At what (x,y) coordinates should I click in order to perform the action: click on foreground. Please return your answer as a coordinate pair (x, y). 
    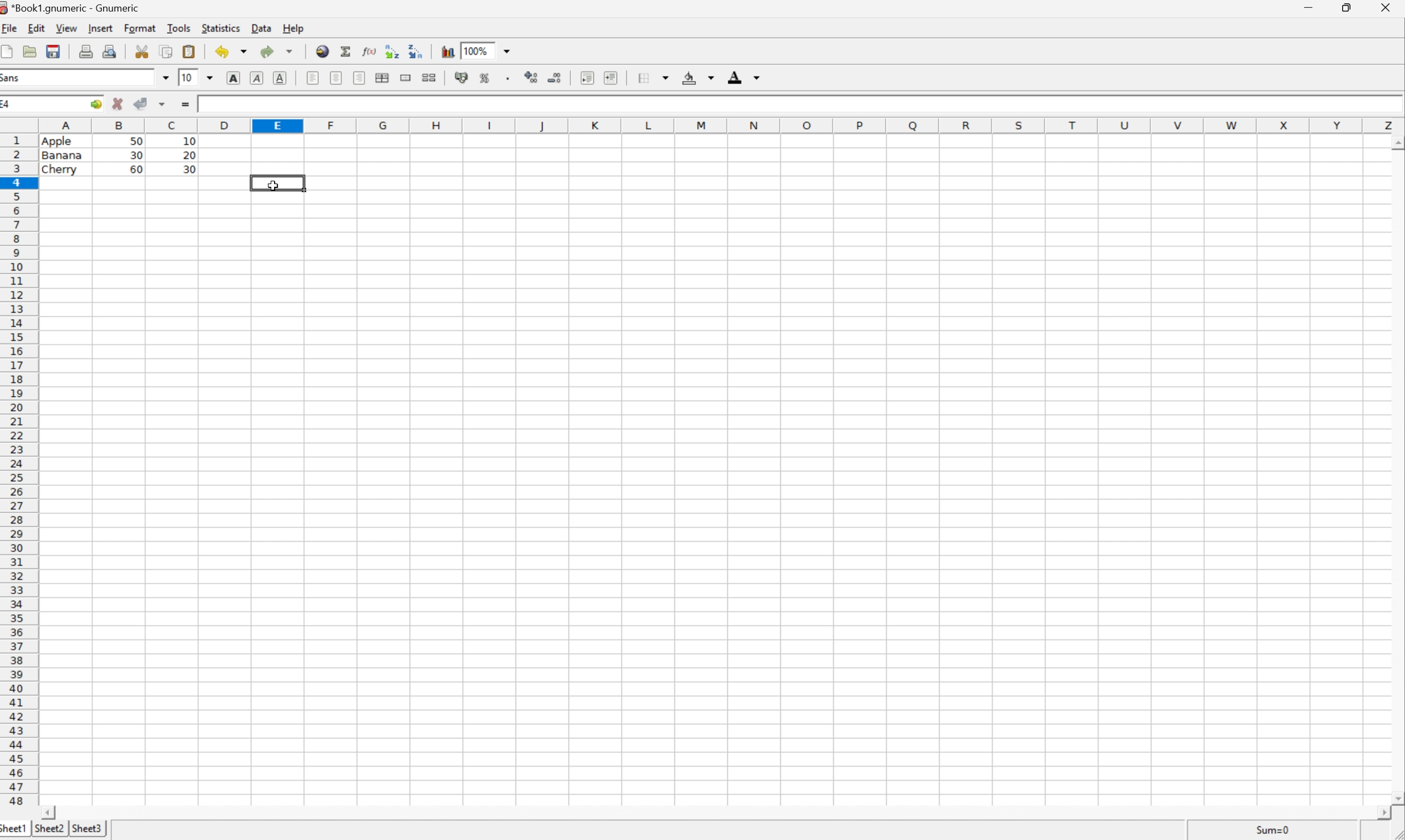
    Looking at the image, I should click on (746, 76).